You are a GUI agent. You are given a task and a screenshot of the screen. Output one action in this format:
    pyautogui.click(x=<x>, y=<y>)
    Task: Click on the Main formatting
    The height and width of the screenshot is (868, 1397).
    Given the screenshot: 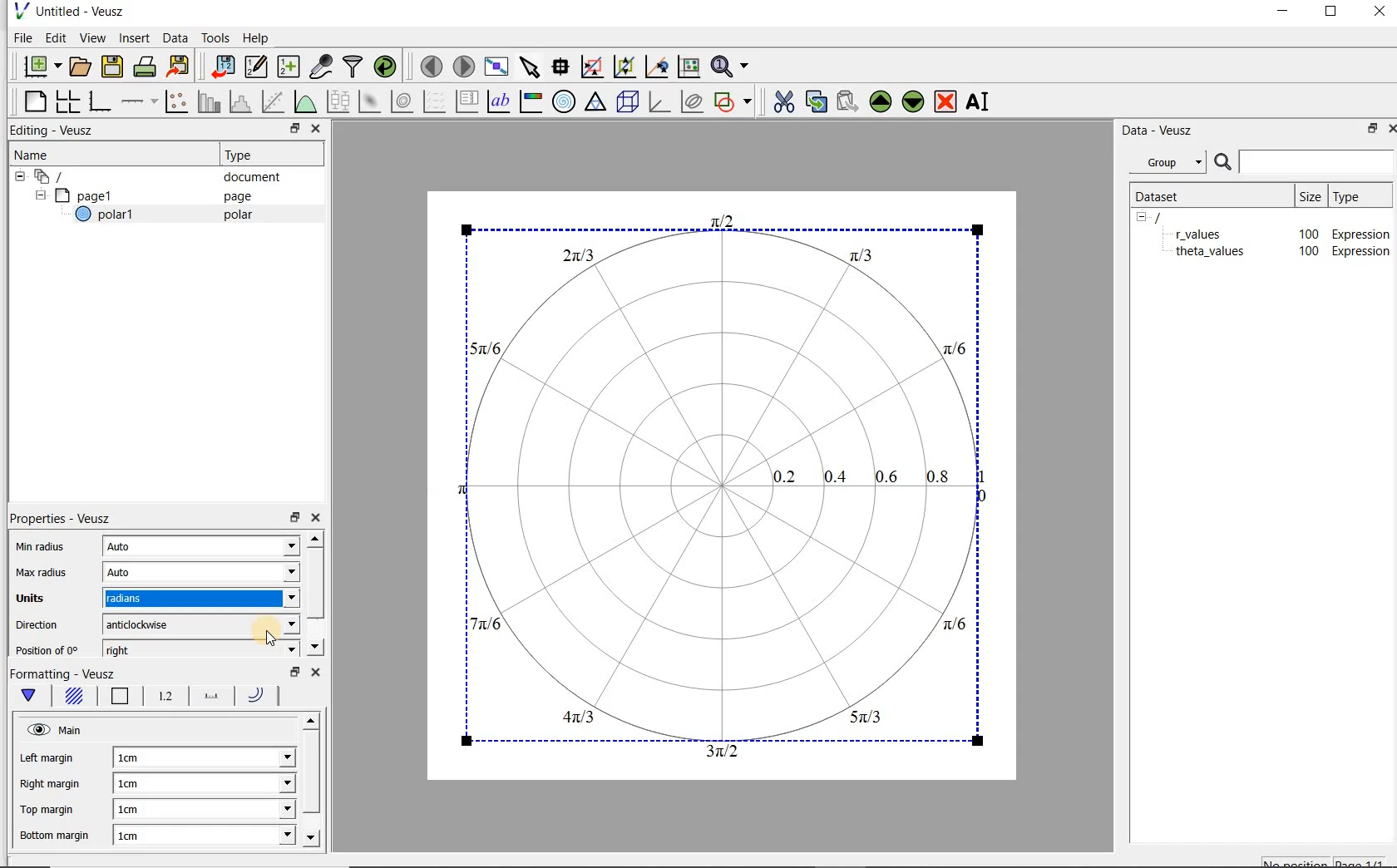 What is the action you would take?
    pyautogui.click(x=28, y=696)
    